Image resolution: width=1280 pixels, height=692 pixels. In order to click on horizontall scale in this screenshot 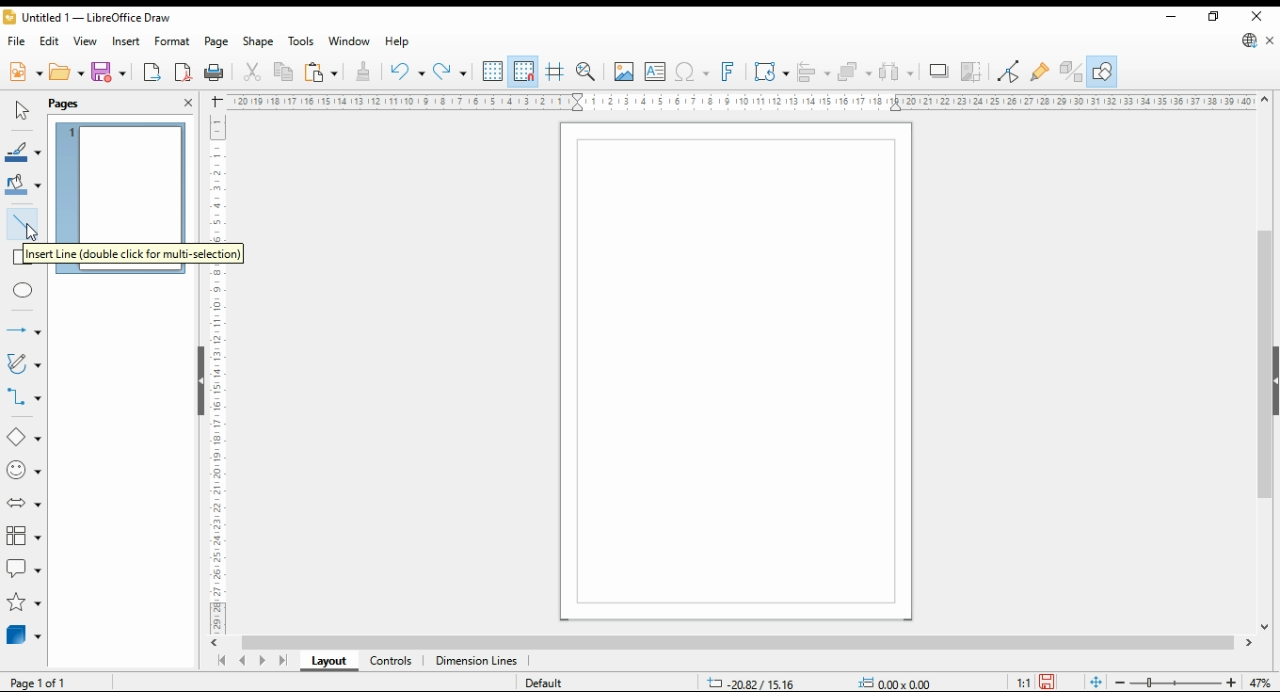, I will do `click(740, 101)`.